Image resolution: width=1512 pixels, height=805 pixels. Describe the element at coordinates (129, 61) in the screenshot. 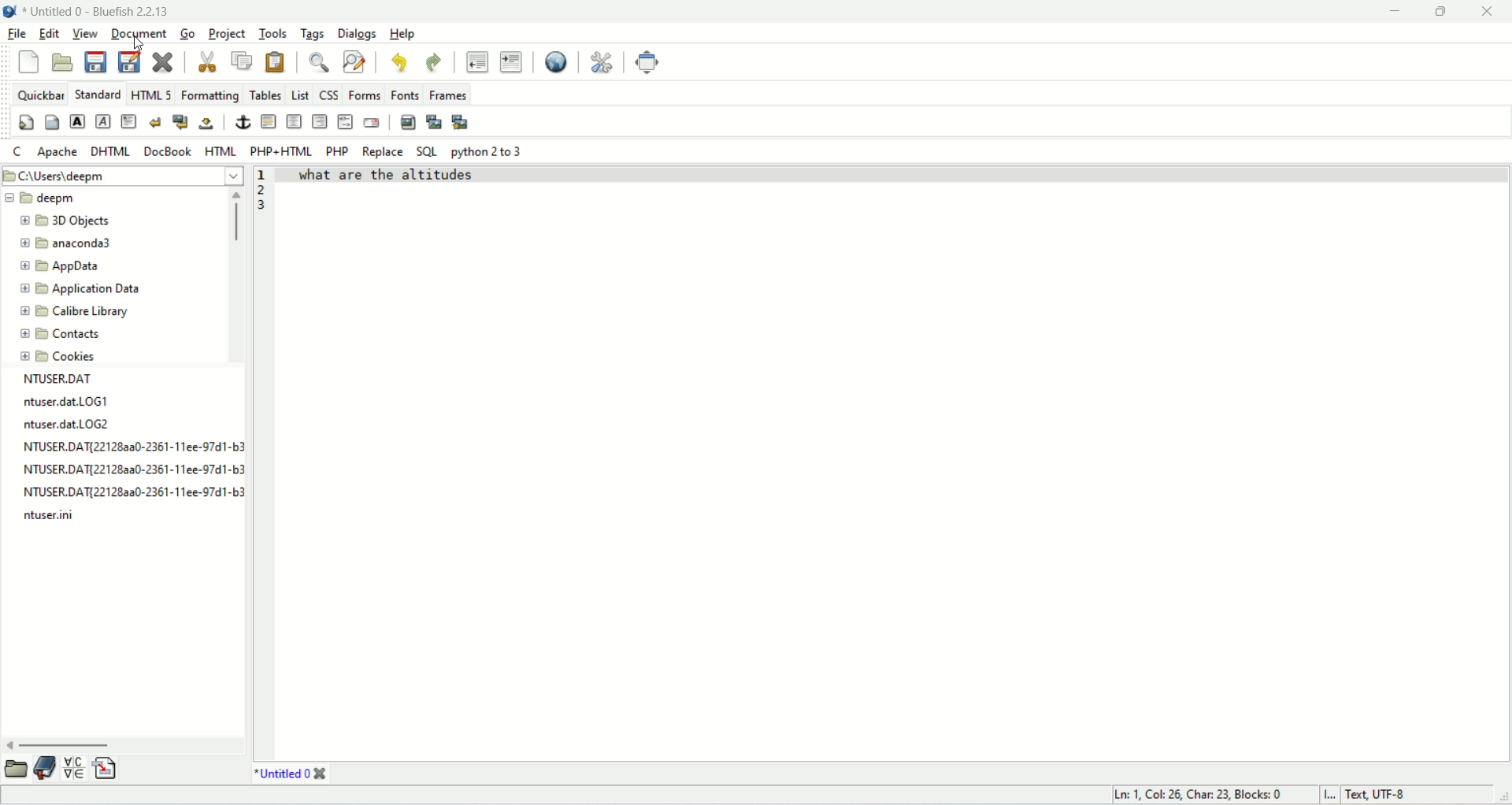

I see `save file as` at that location.